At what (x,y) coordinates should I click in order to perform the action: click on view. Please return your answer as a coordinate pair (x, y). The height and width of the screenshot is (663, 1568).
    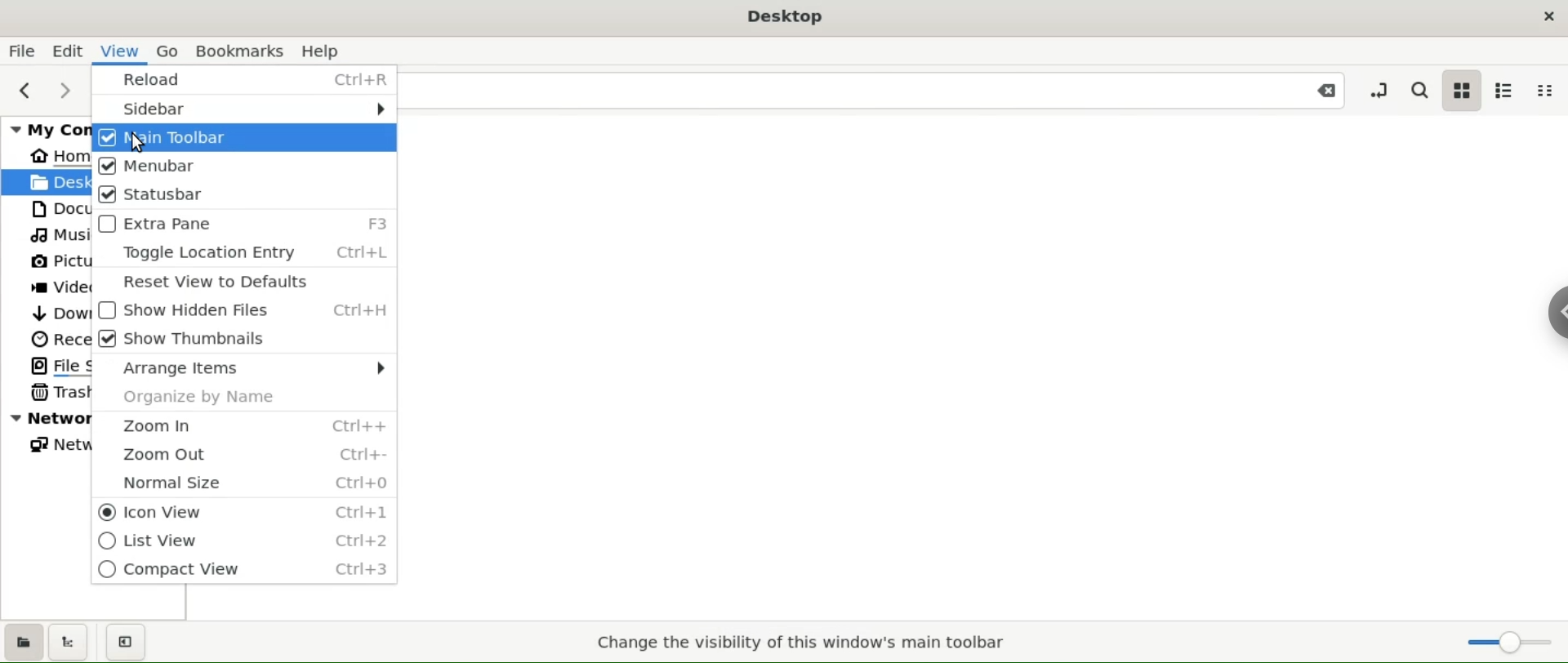
    Looking at the image, I should click on (121, 51).